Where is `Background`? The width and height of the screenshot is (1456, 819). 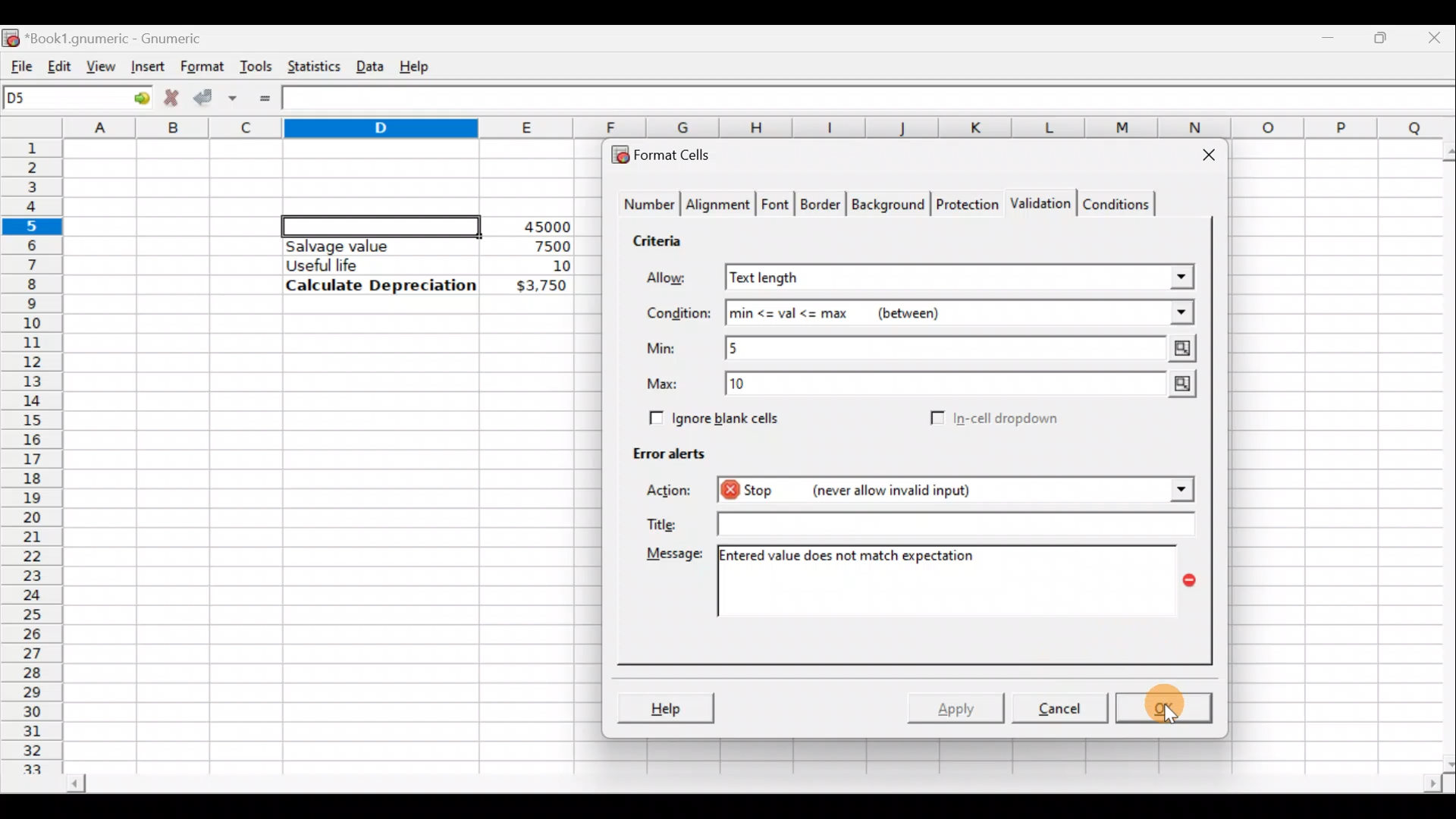
Background is located at coordinates (887, 203).